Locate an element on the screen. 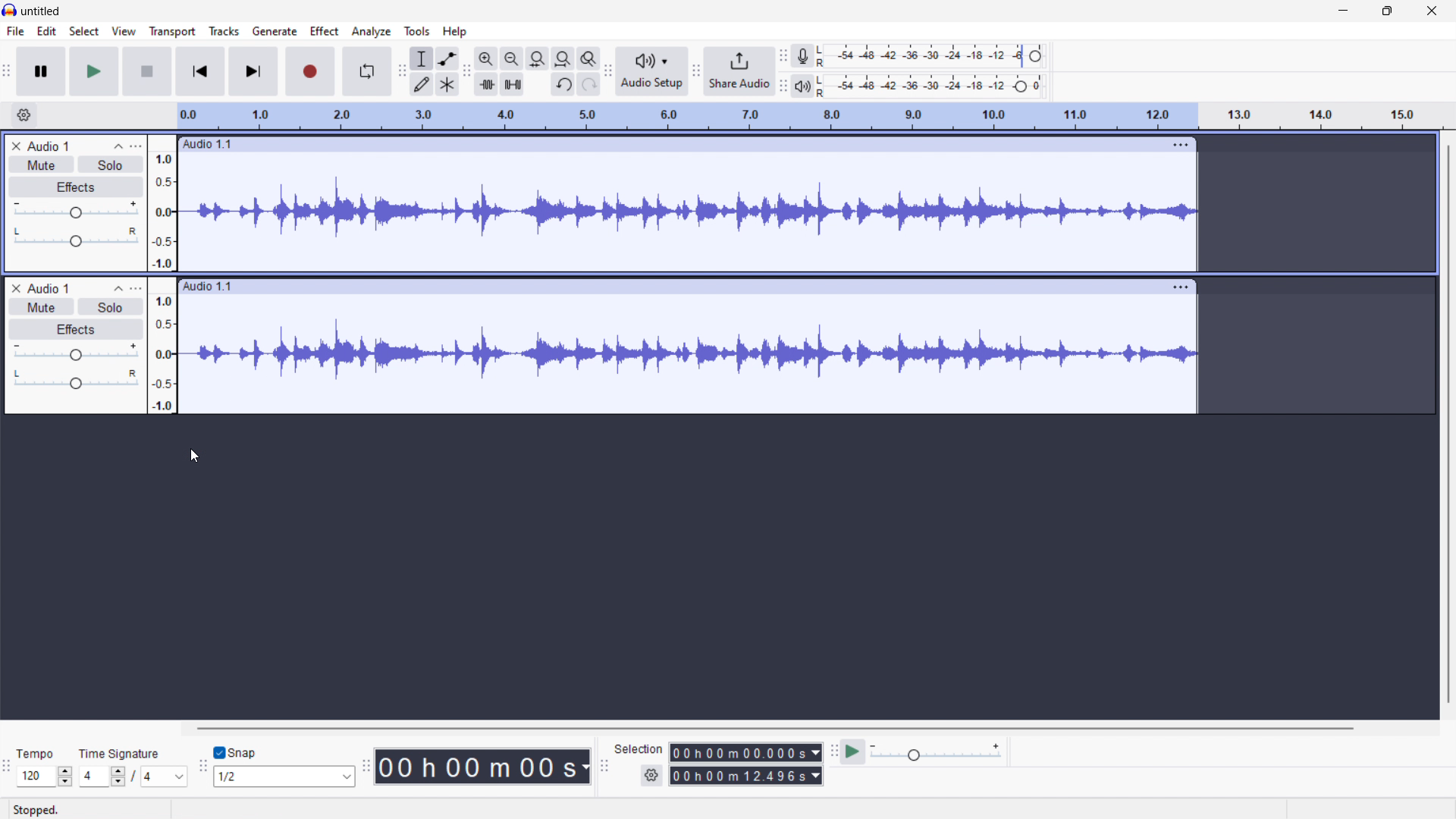  amplitude is located at coordinates (165, 274).